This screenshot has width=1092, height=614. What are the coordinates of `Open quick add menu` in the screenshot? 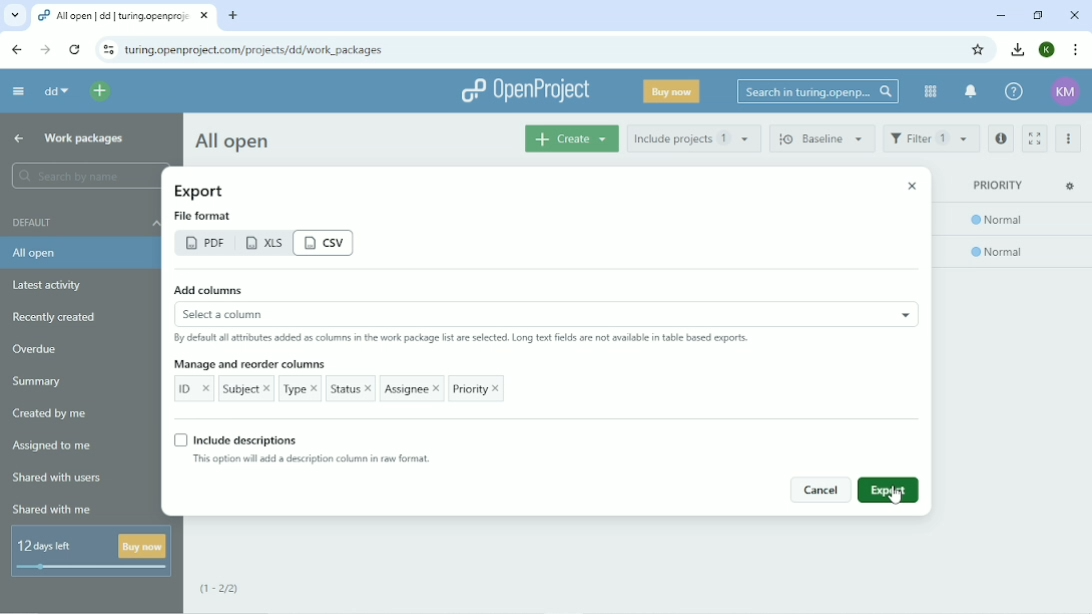 It's located at (100, 91).